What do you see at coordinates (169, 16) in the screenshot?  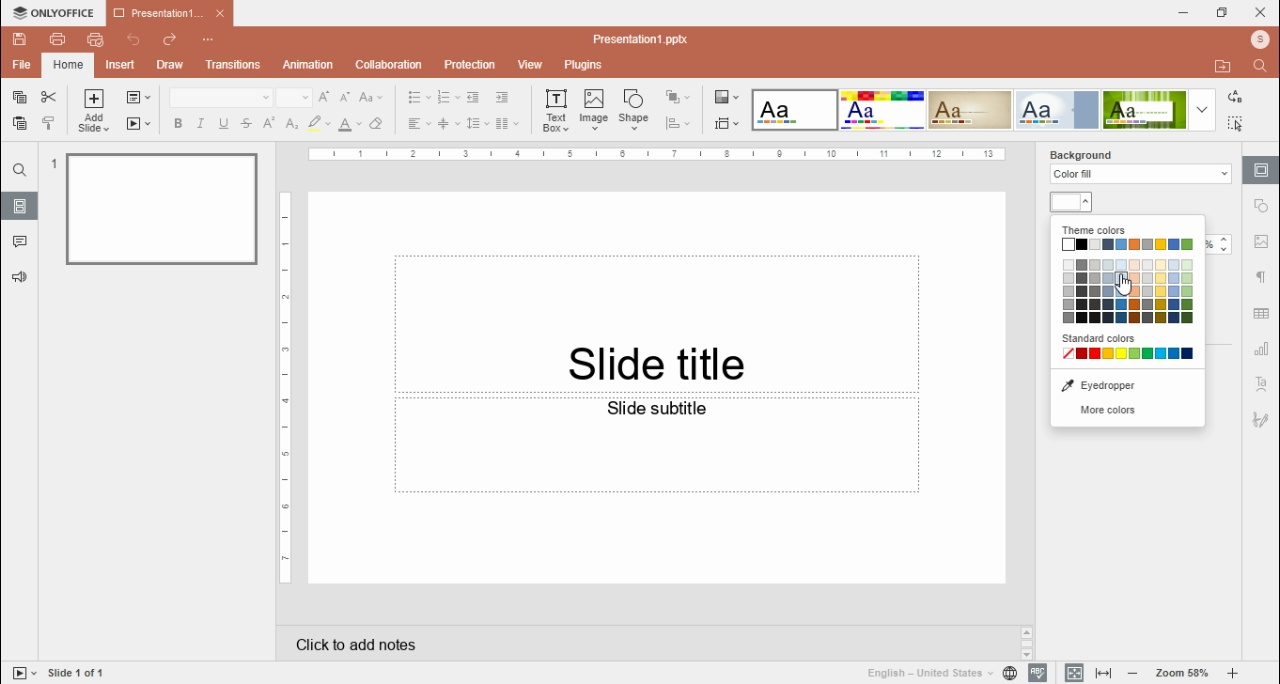 I see `presentation 1` at bounding box center [169, 16].